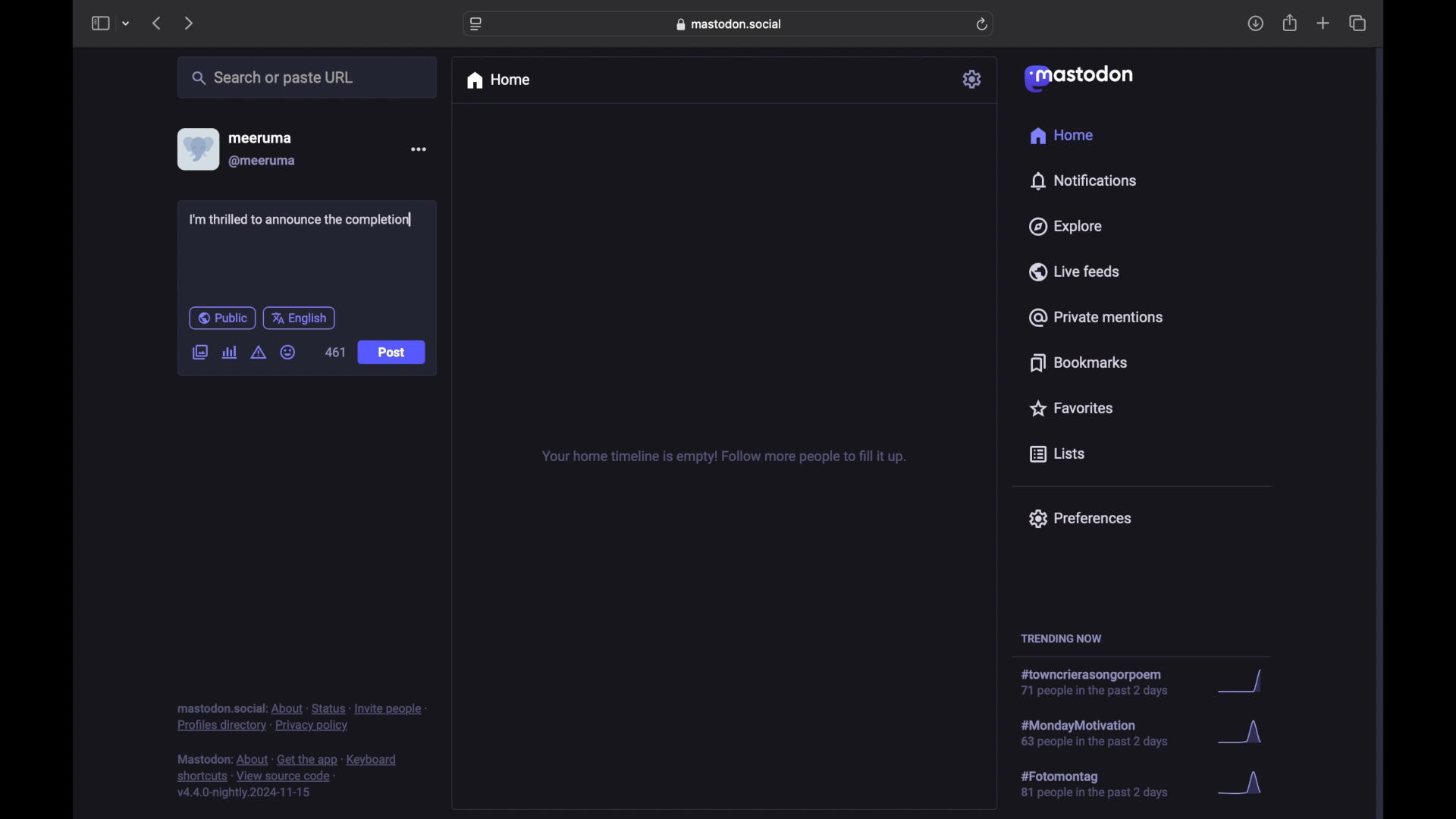 The width and height of the screenshot is (1456, 819). I want to click on post, so click(391, 353).